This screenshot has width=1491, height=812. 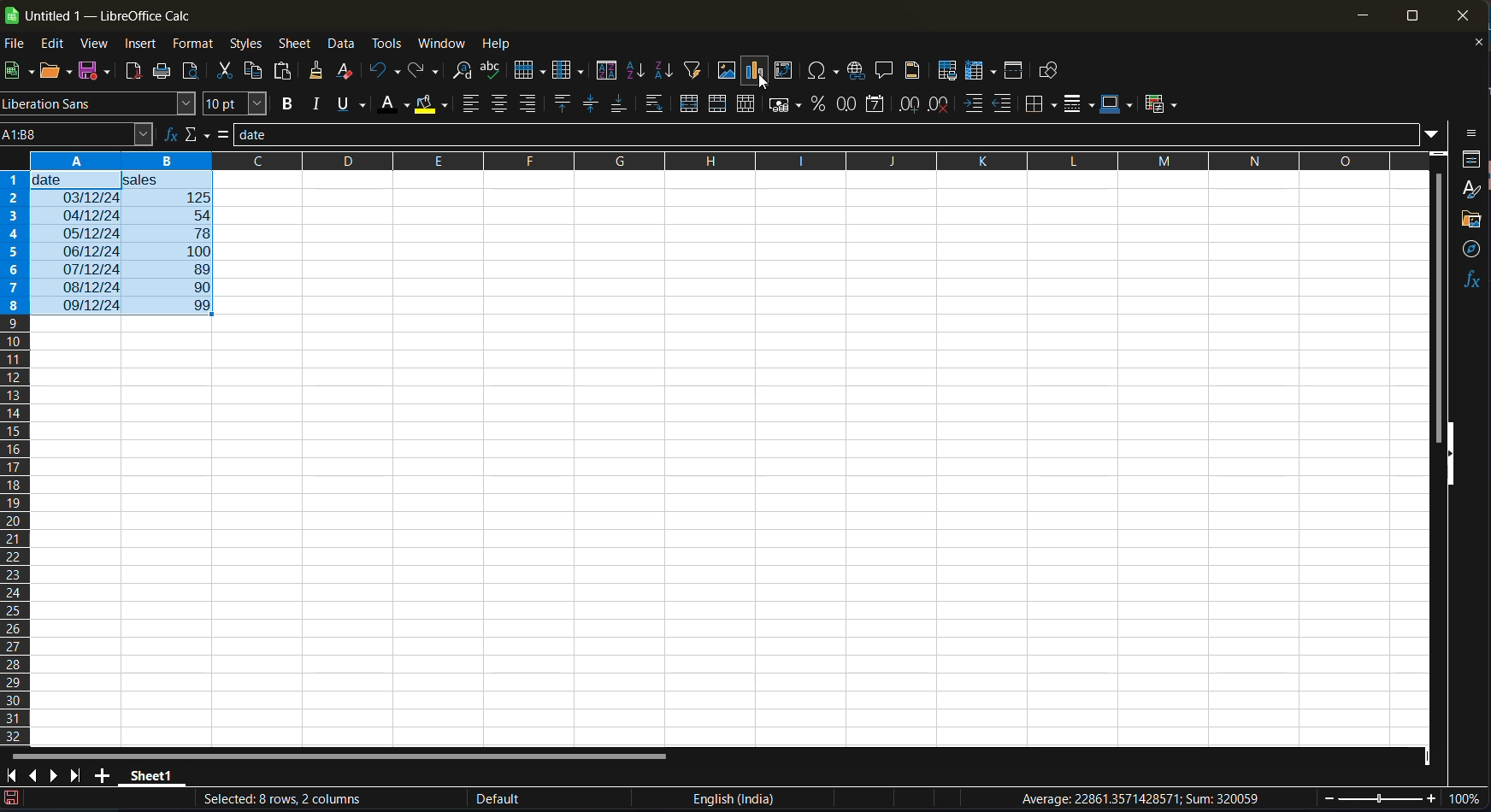 I want to click on split window, so click(x=1014, y=72).